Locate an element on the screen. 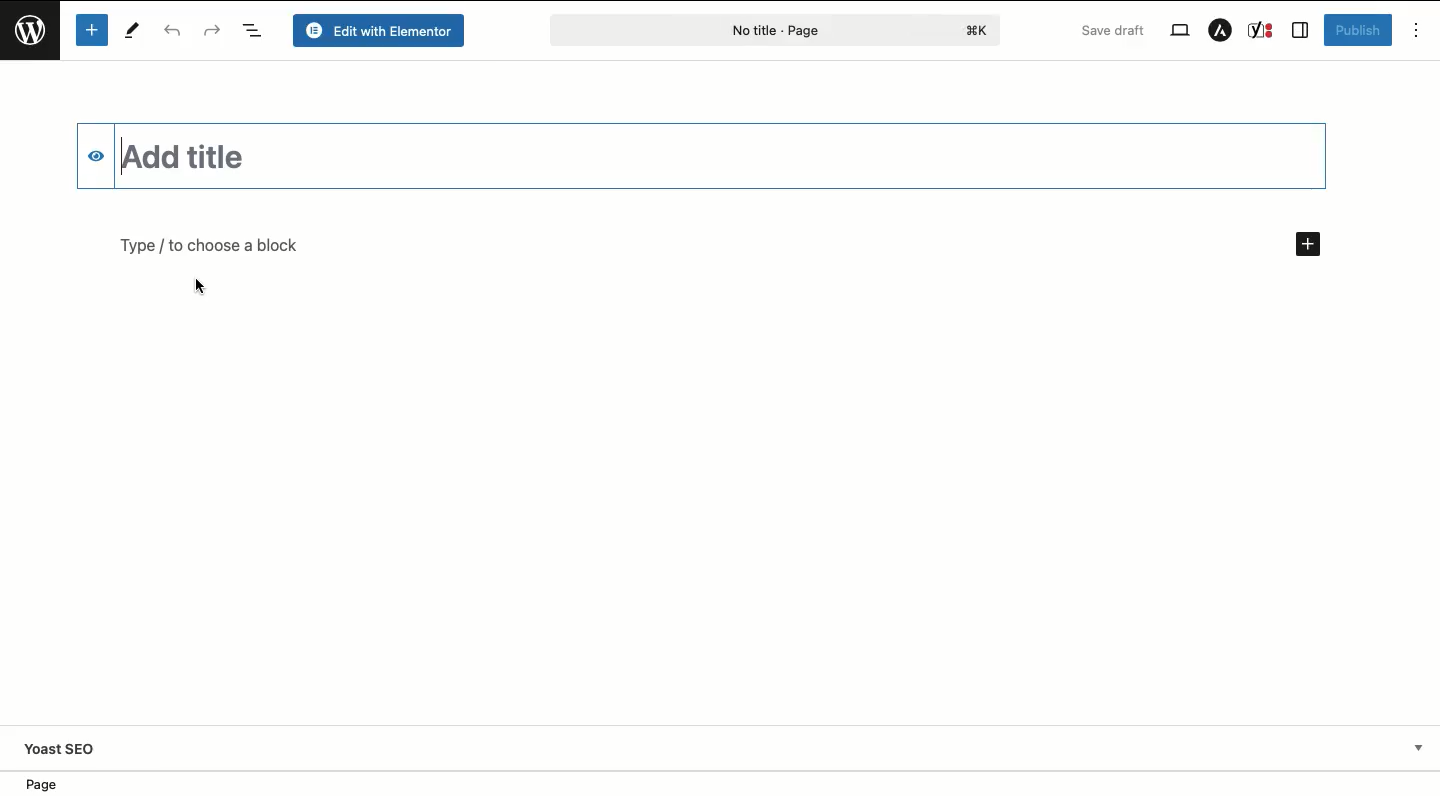 Image resolution: width=1440 pixels, height=796 pixels. Location is located at coordinates (727, 783).